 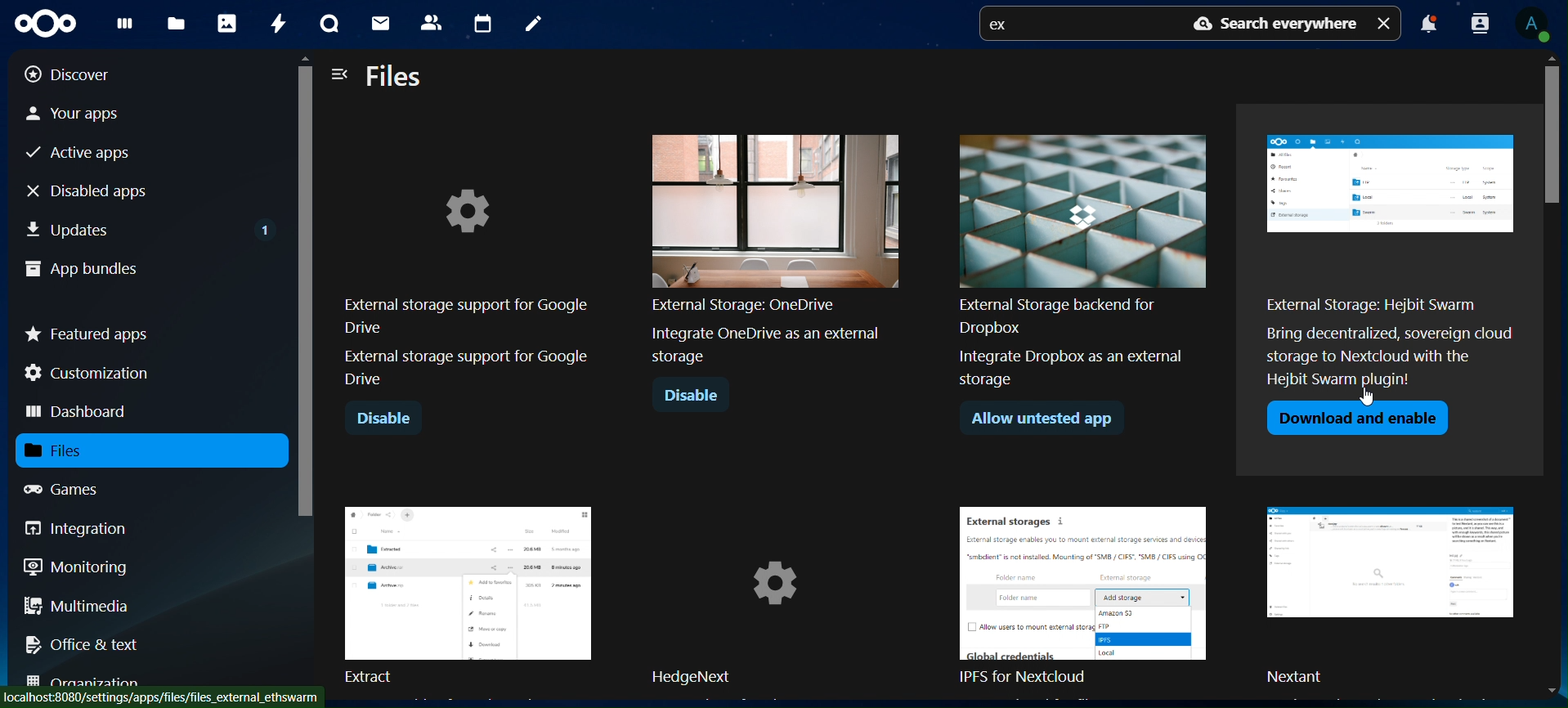 What do you see at coordinates (91, 373) in the screenshot?
I see `customization` at bounding box center [91, 373].